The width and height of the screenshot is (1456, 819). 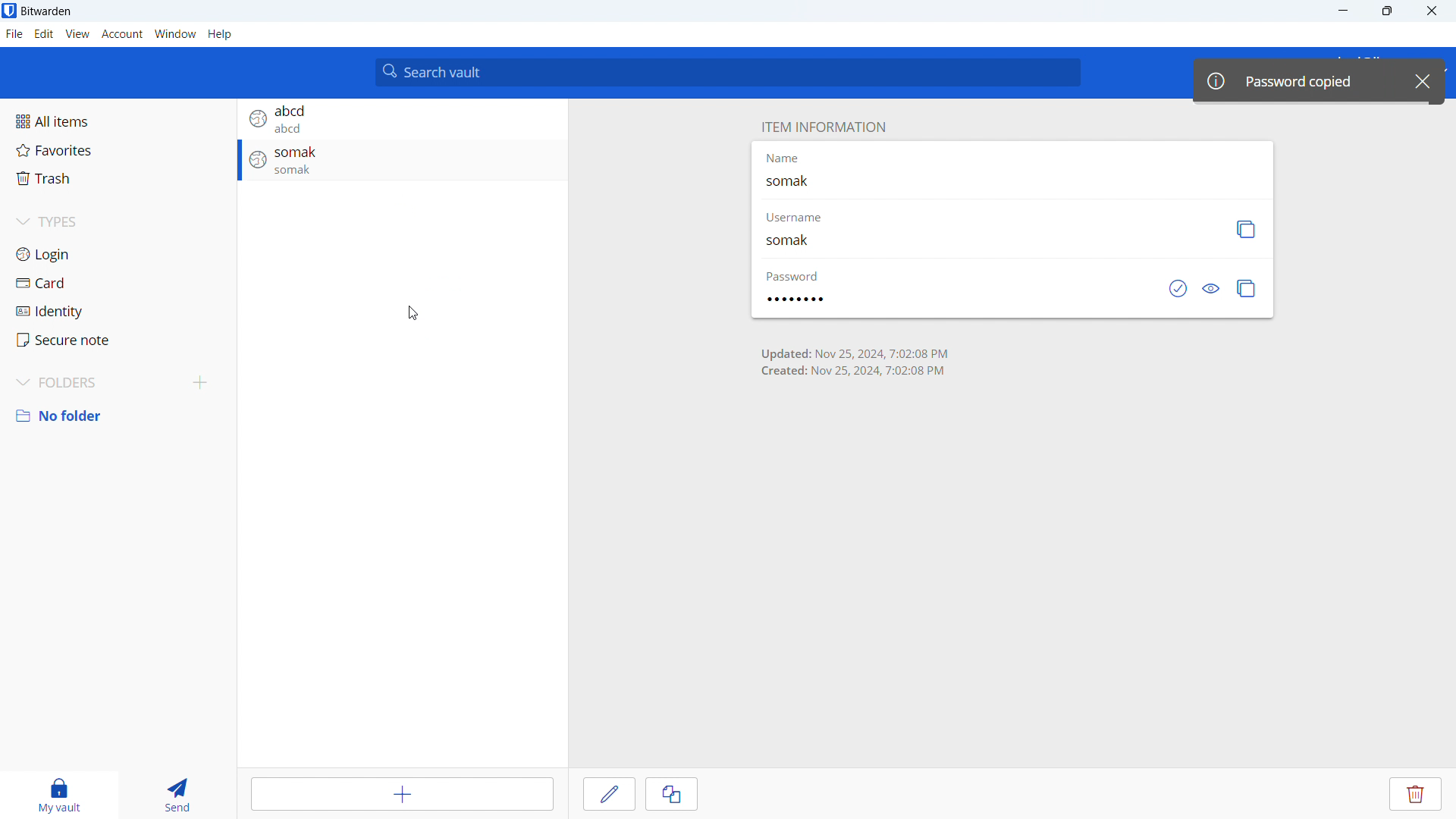 What do you see at coordinates (411, 315) in the screenshot?
I see `cursor` at bounding box center [411, 315].